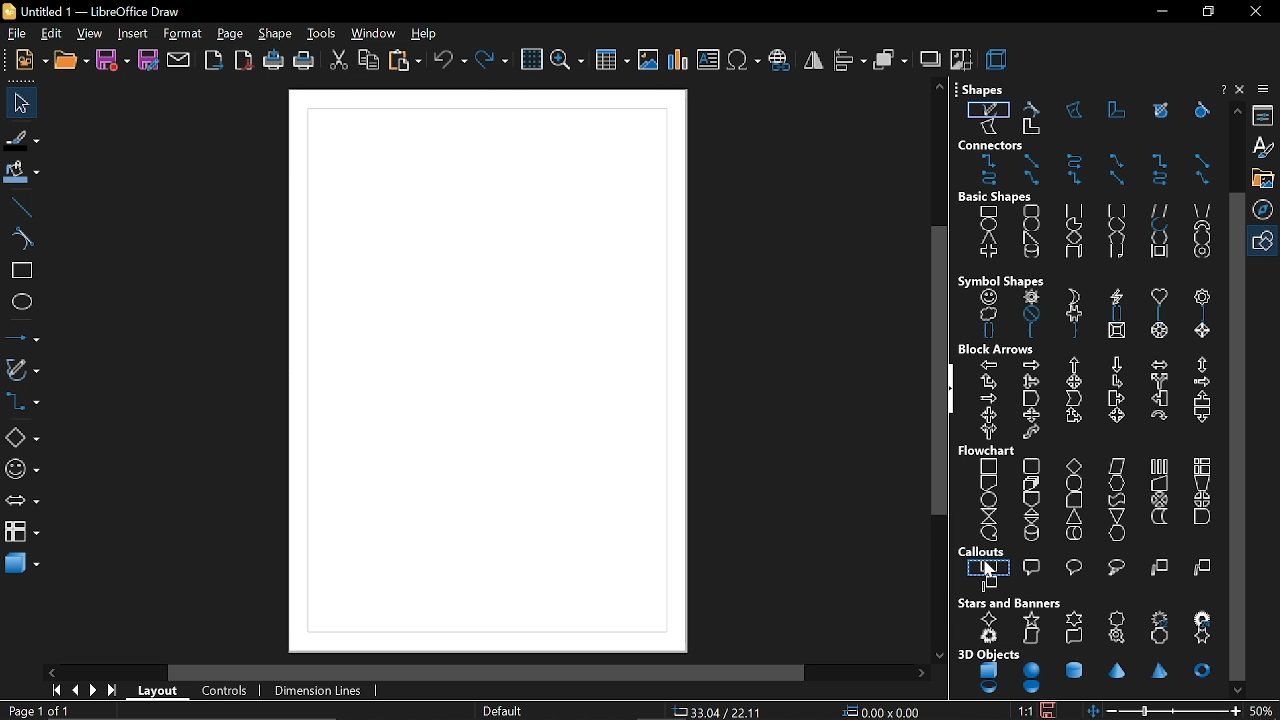 This screenshot has height=720, width=1280. What do you see at coordinates (1072, 483) in the screenshot?
I see `terminator` at bounding box center [1072, 483].